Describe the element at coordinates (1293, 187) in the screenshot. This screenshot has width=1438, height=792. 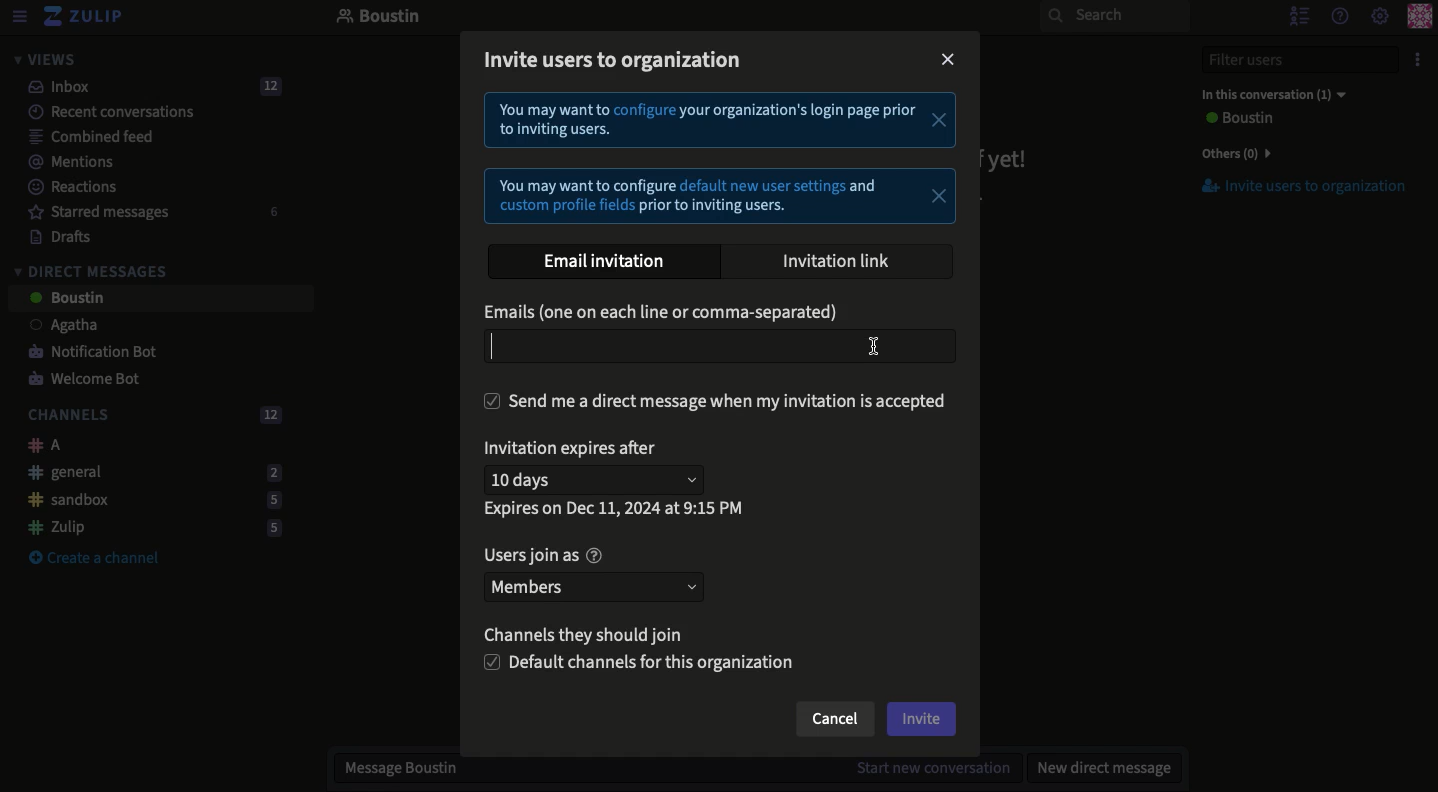
I see `Invite users to organization` at that location.